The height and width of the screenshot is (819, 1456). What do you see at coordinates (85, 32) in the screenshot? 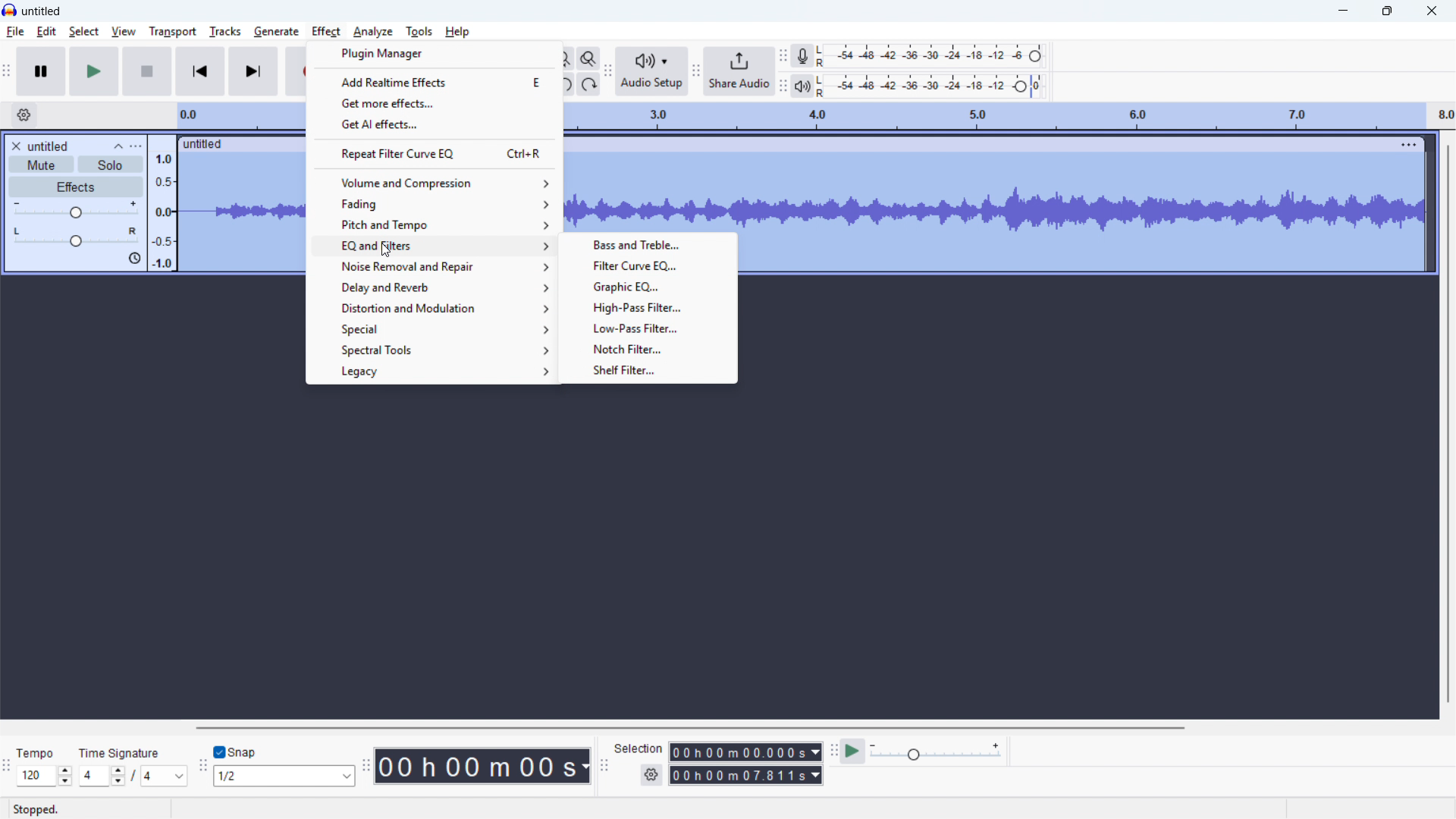
I see `select` at bounding box center [85, 32].